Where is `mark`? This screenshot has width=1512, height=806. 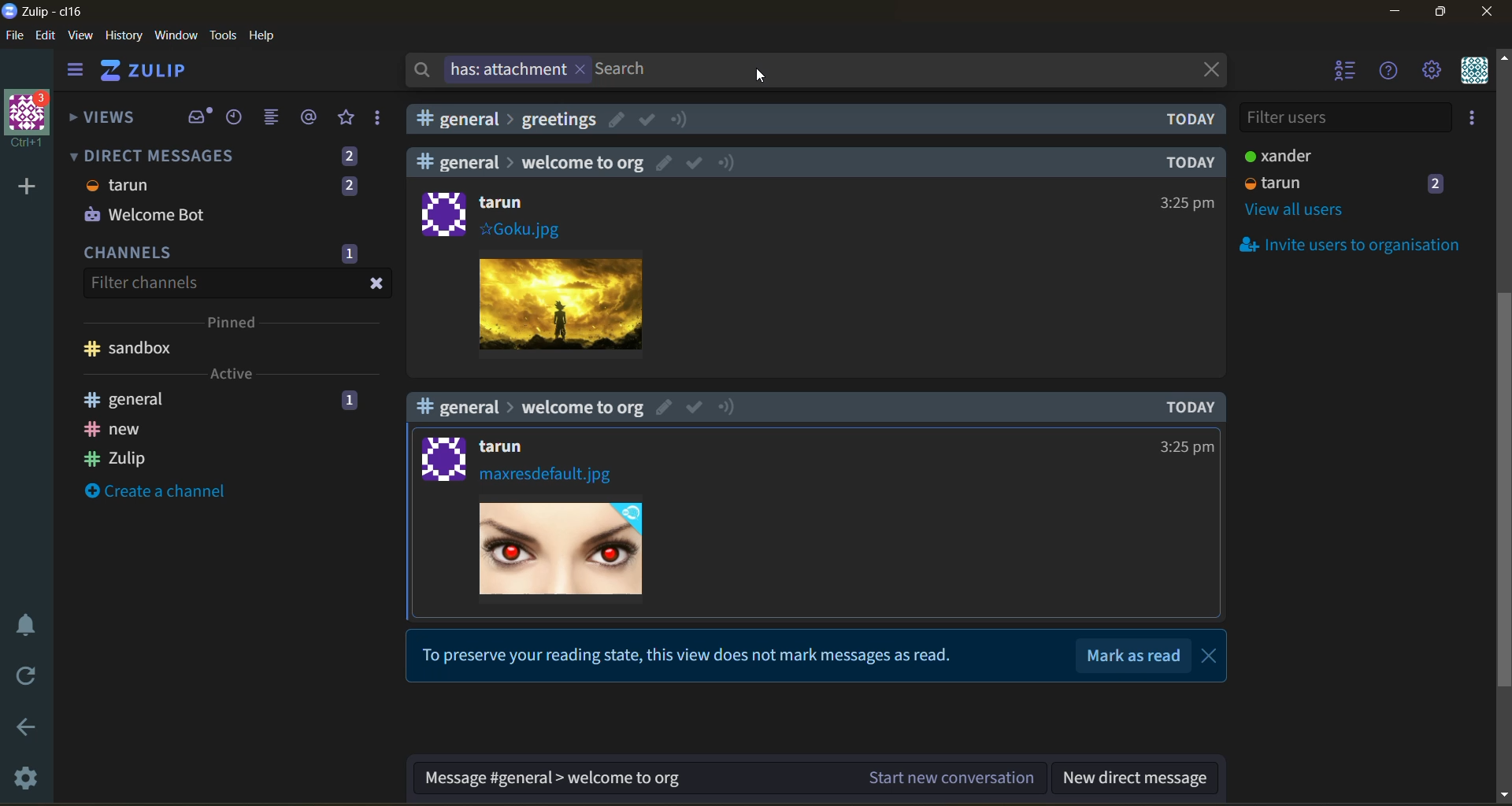 mark is located at coordinates (695, 405).